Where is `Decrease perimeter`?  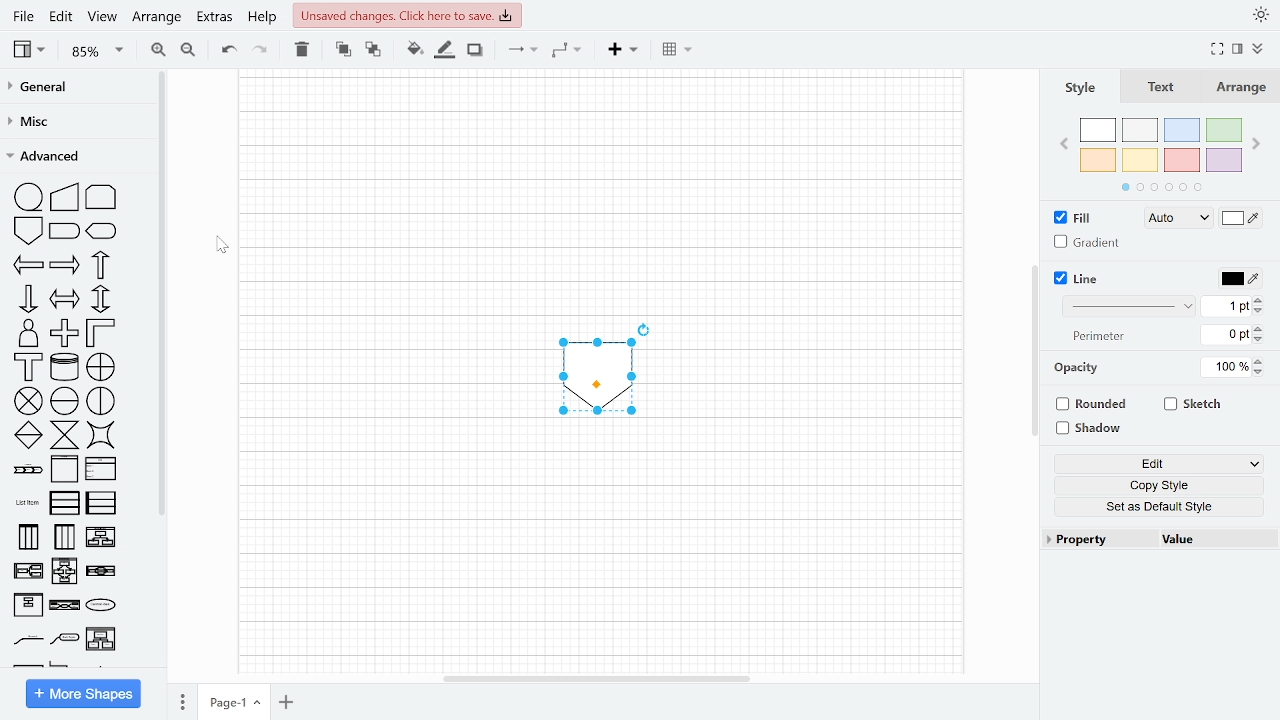 Decrease perimeter is located at coordinates (1261, 339).